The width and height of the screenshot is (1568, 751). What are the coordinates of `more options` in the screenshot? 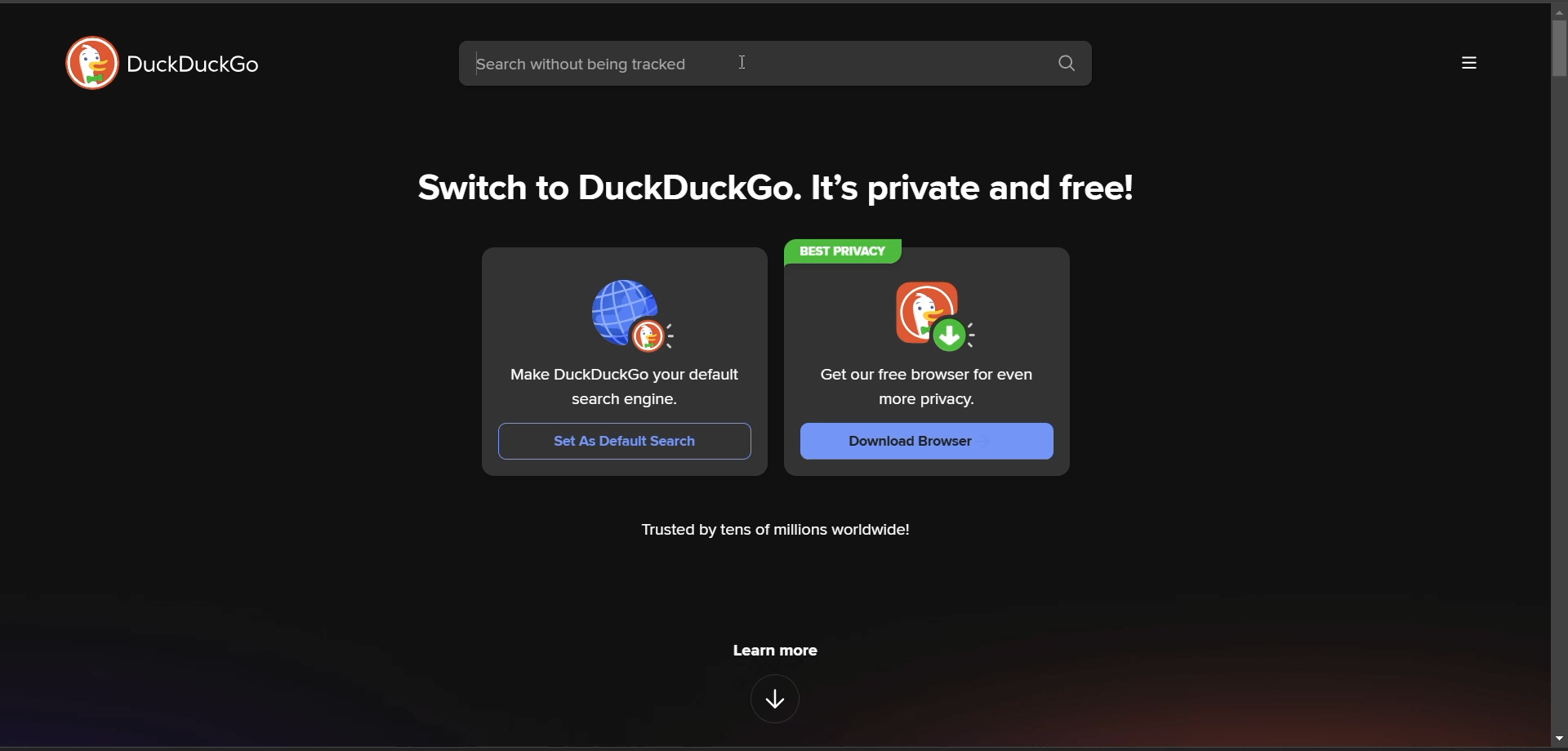 It's located at (1466, 62).